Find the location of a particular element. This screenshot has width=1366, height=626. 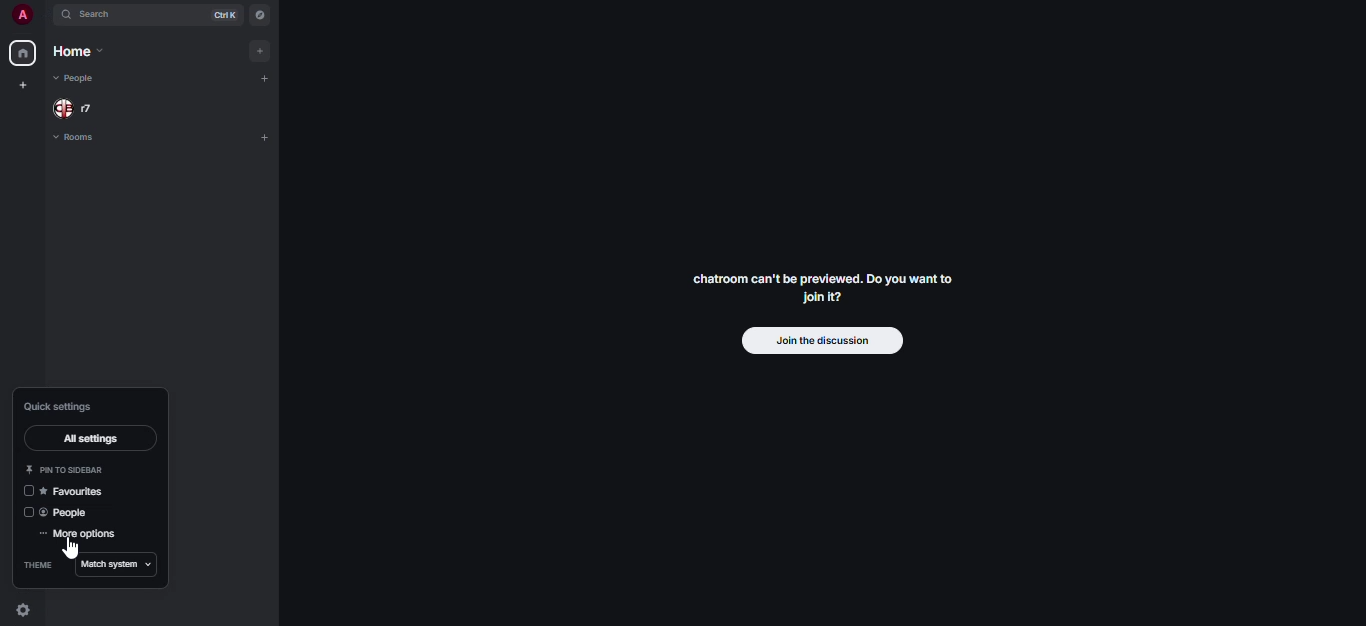

people is located at coordinates (81, 79).